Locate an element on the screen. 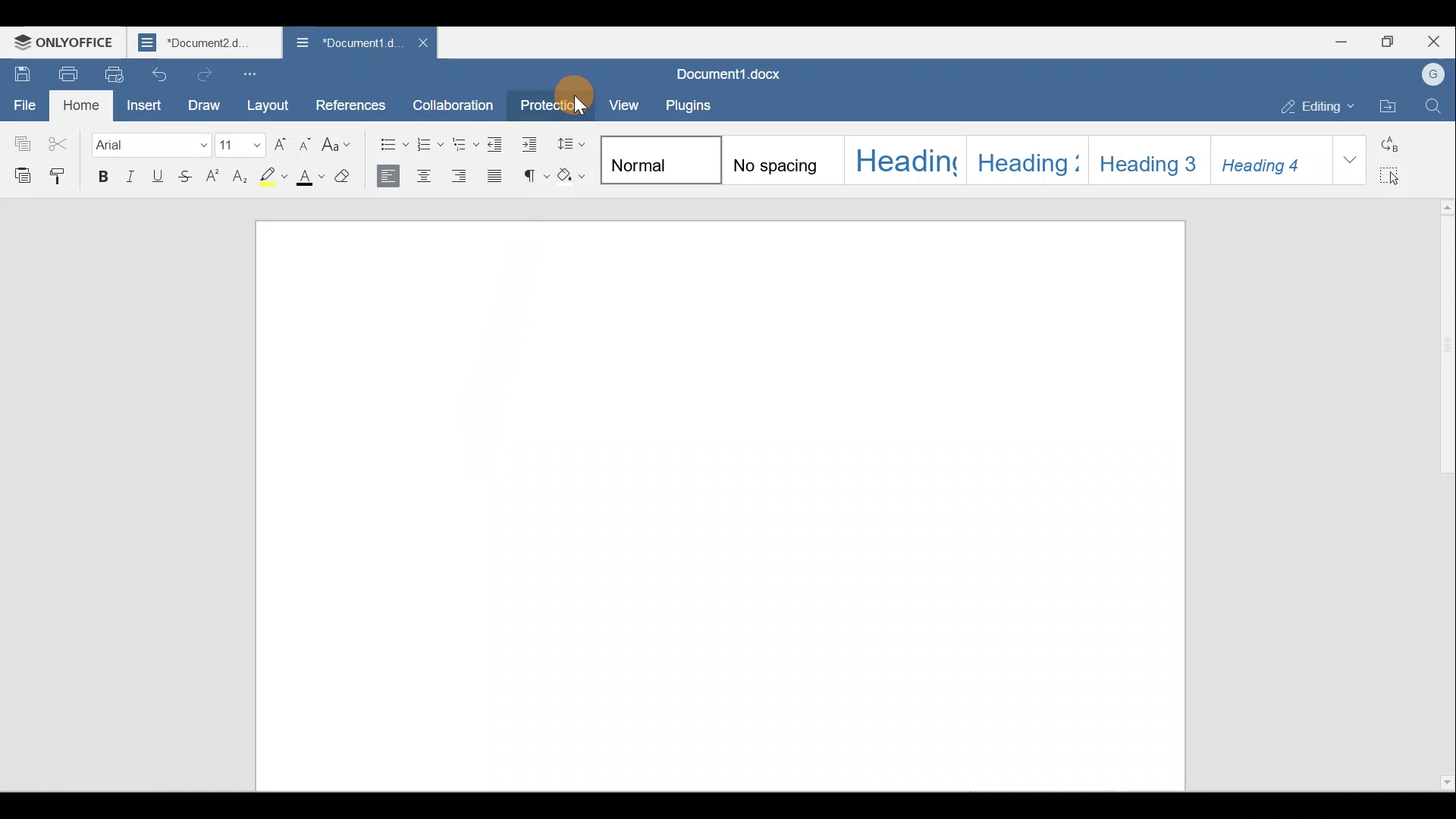  Bold is located at coordinates (102, 176).